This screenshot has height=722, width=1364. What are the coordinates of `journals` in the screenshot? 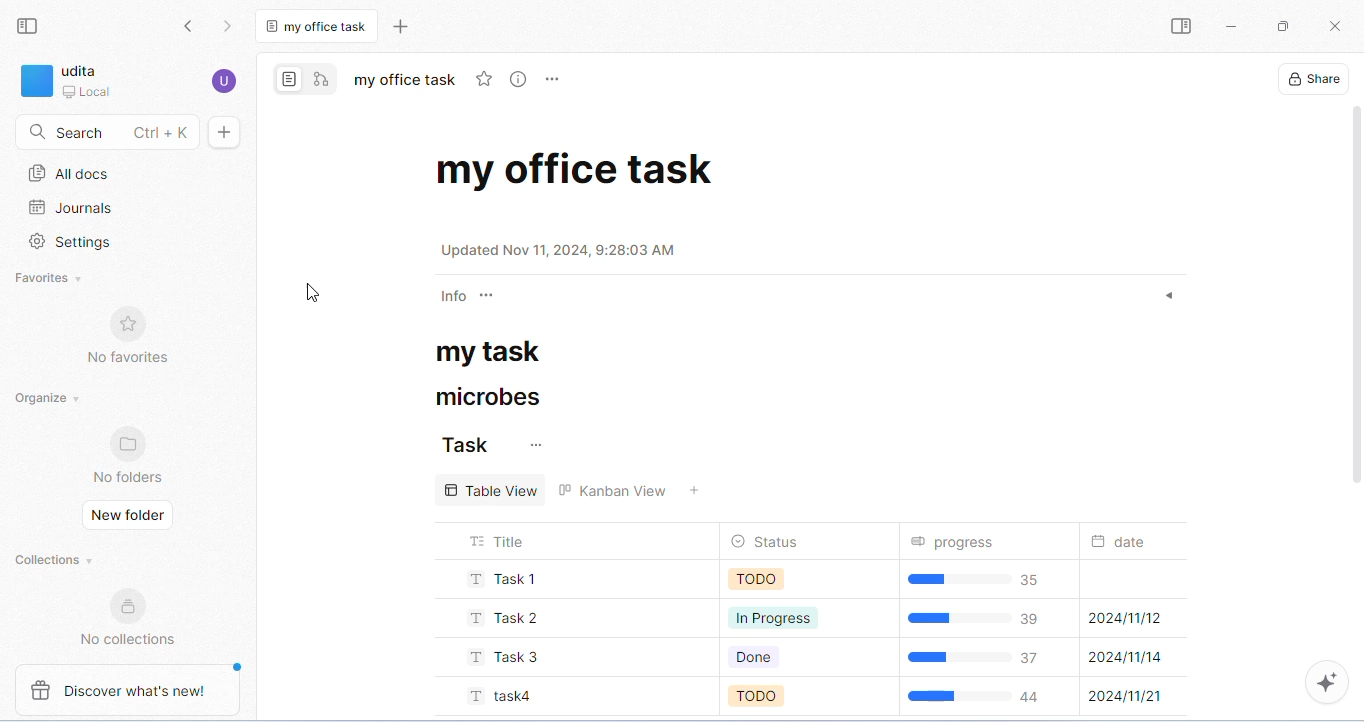 It's located at (73, 208).